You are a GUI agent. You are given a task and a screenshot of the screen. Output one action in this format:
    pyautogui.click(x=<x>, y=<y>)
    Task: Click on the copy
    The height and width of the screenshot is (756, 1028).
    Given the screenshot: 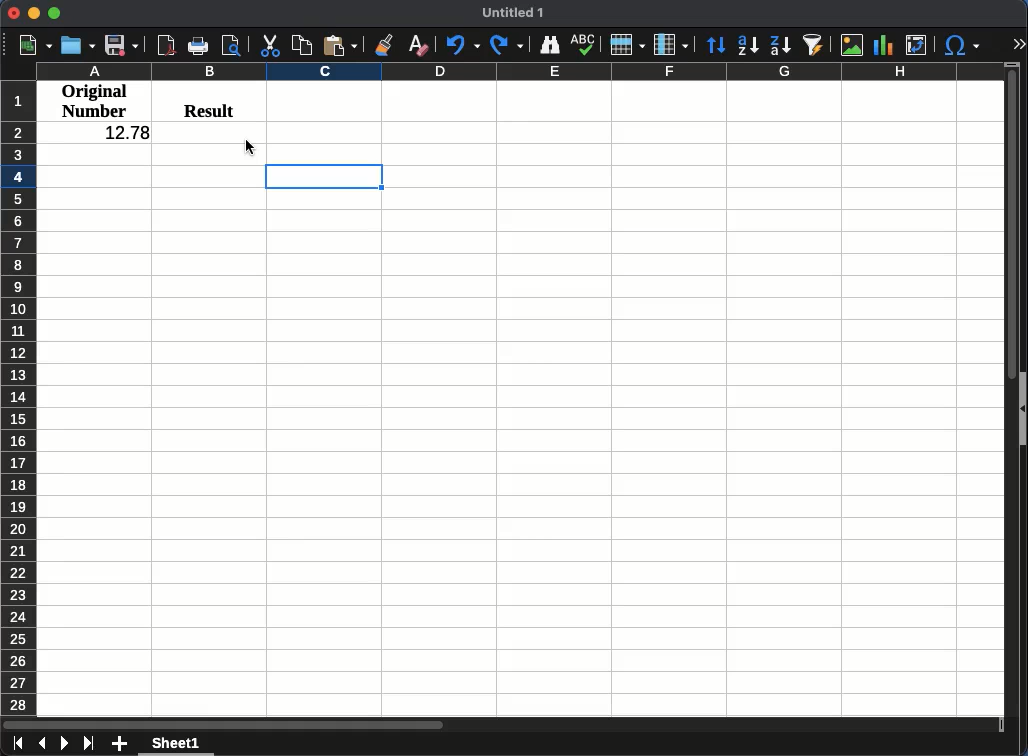 What is the action you would take?
    pyautogui.click(x=301, y=45)
    